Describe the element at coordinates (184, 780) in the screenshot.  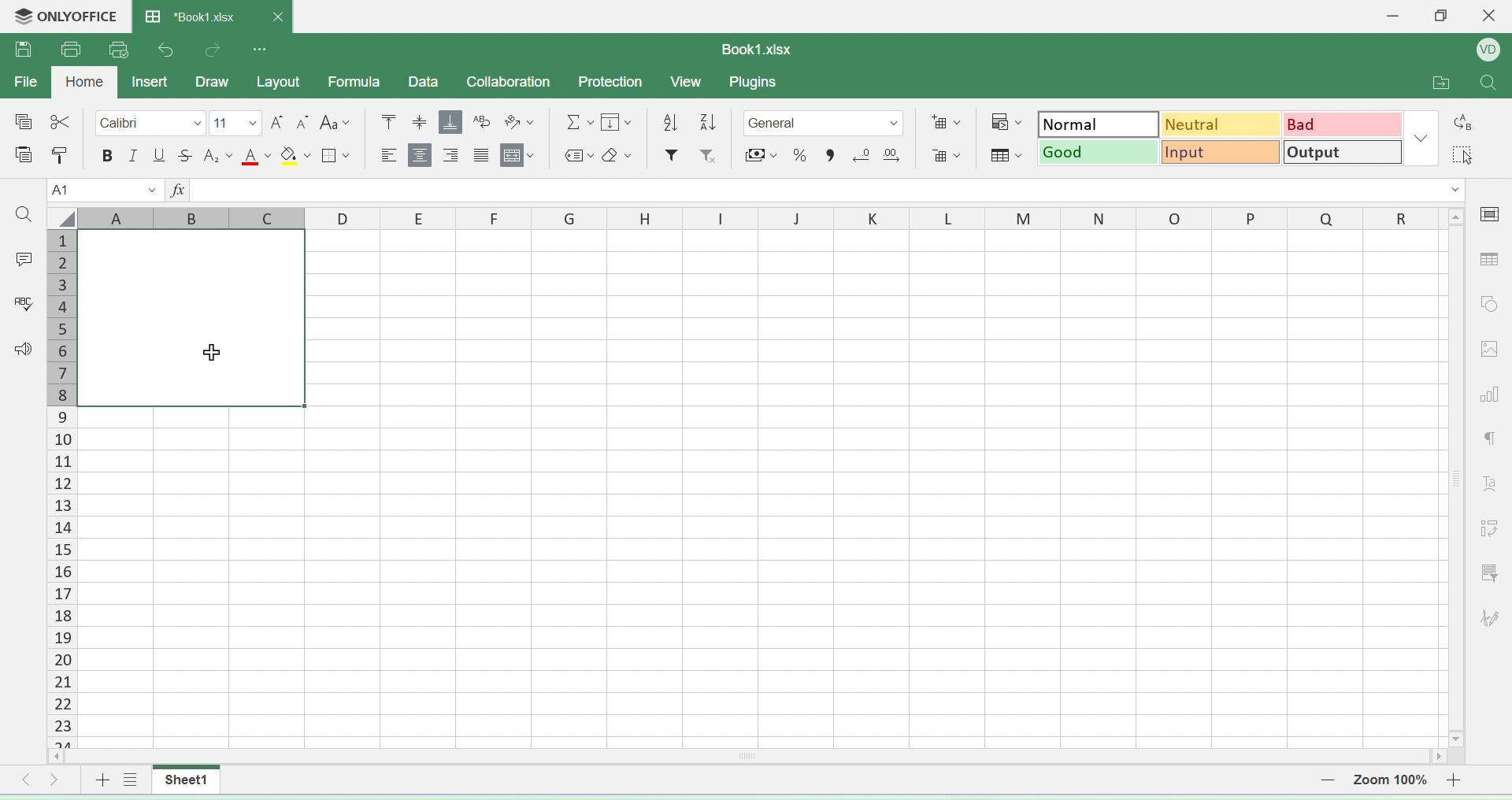
I see `sheet1` at that location.